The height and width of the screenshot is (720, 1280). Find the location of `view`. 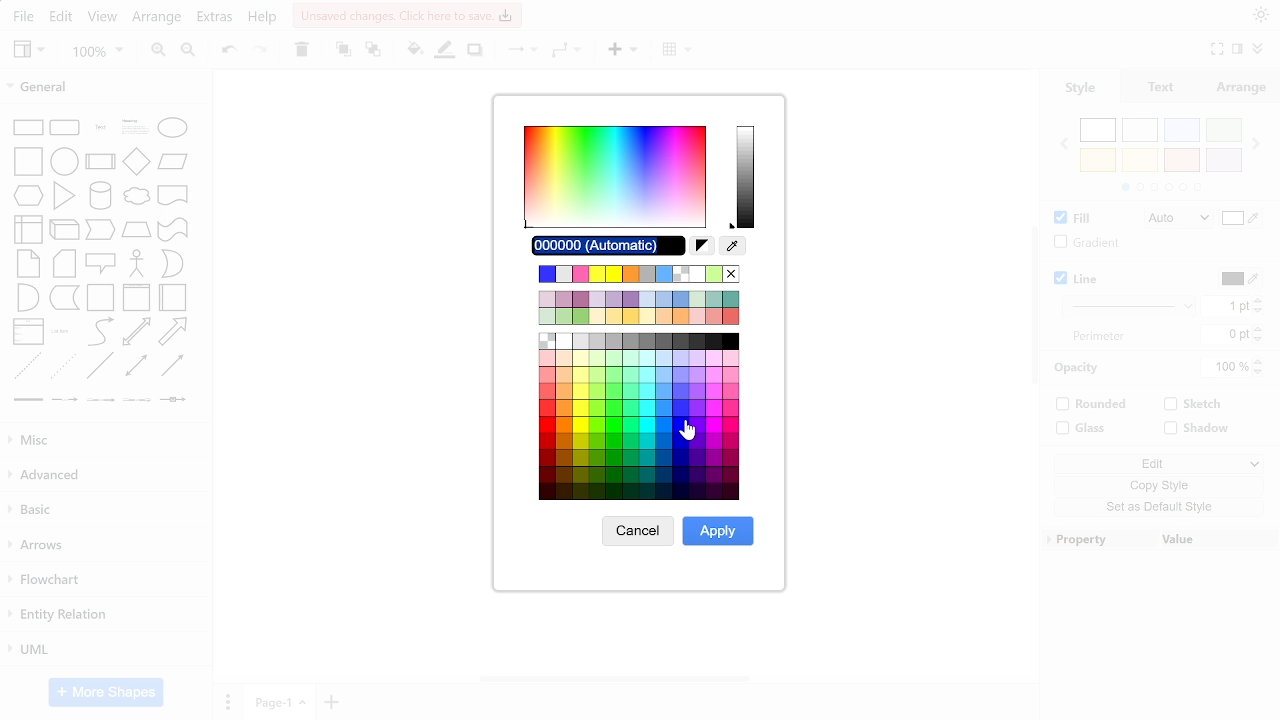

view is located at coordinates (102, 19).